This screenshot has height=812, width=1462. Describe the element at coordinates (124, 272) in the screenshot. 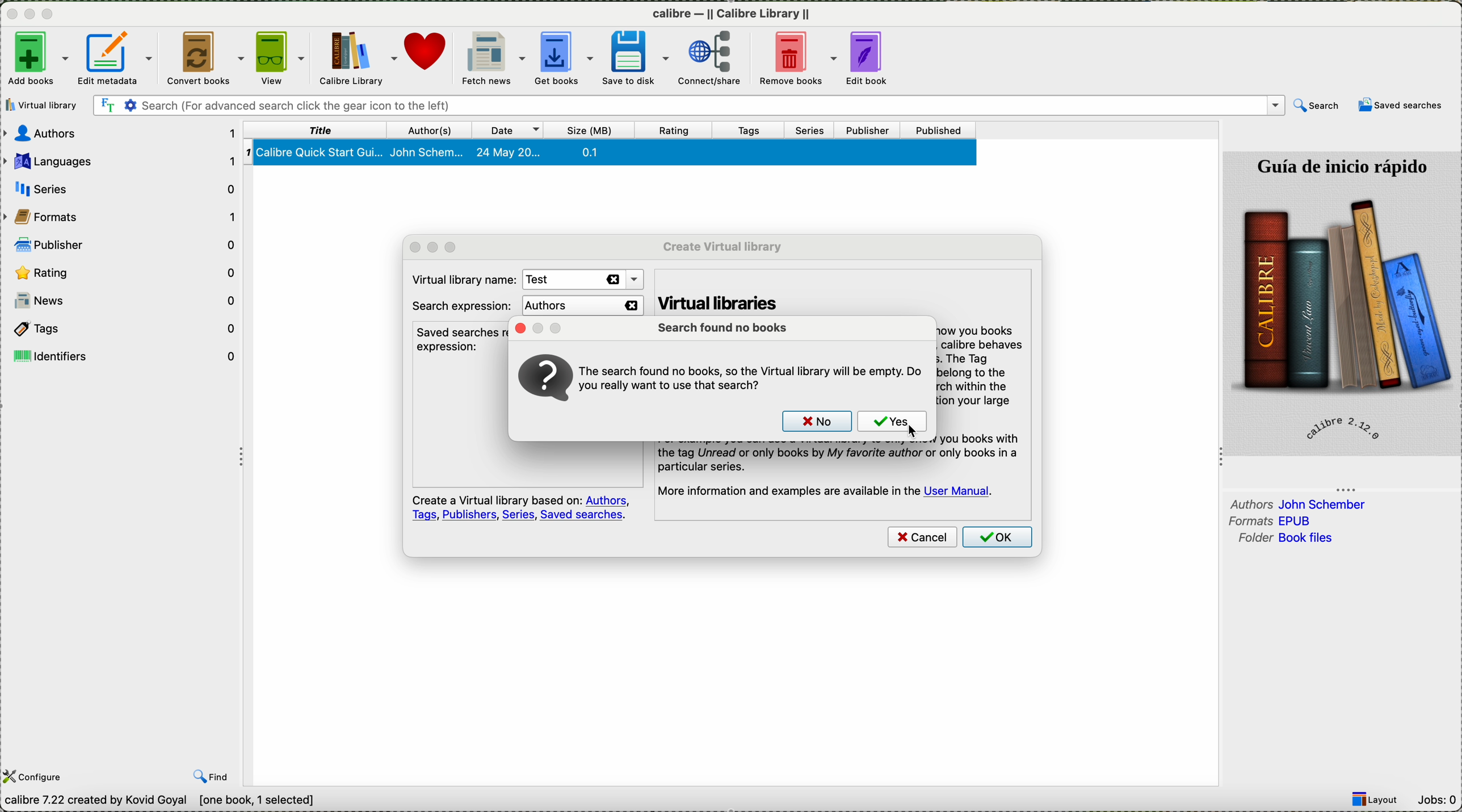

I see `rating` at that location.